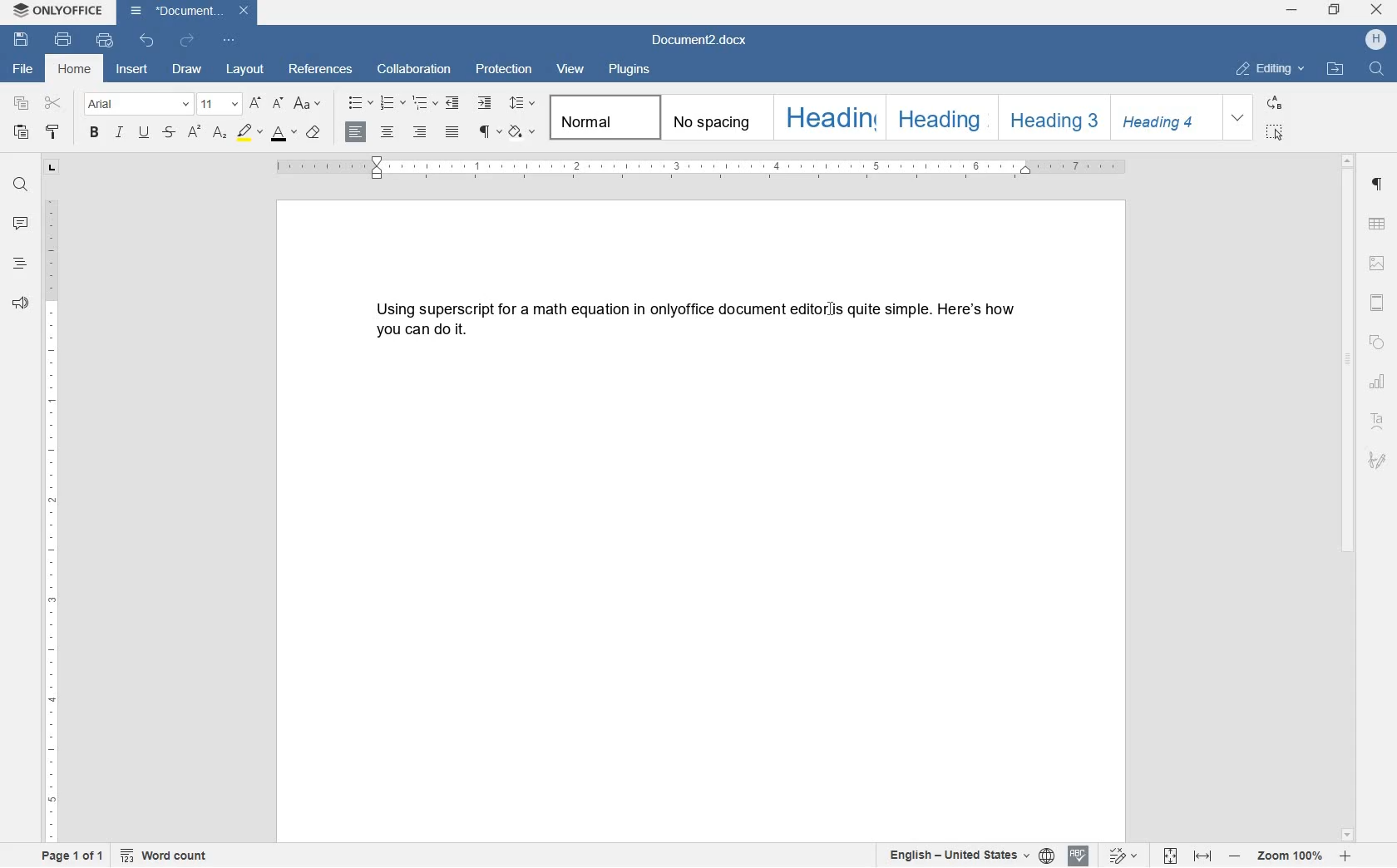 The image size is (1397, 868). Describe the element at coordinates (453, 104) in the screenshot. I see `decrease indent` at that location.